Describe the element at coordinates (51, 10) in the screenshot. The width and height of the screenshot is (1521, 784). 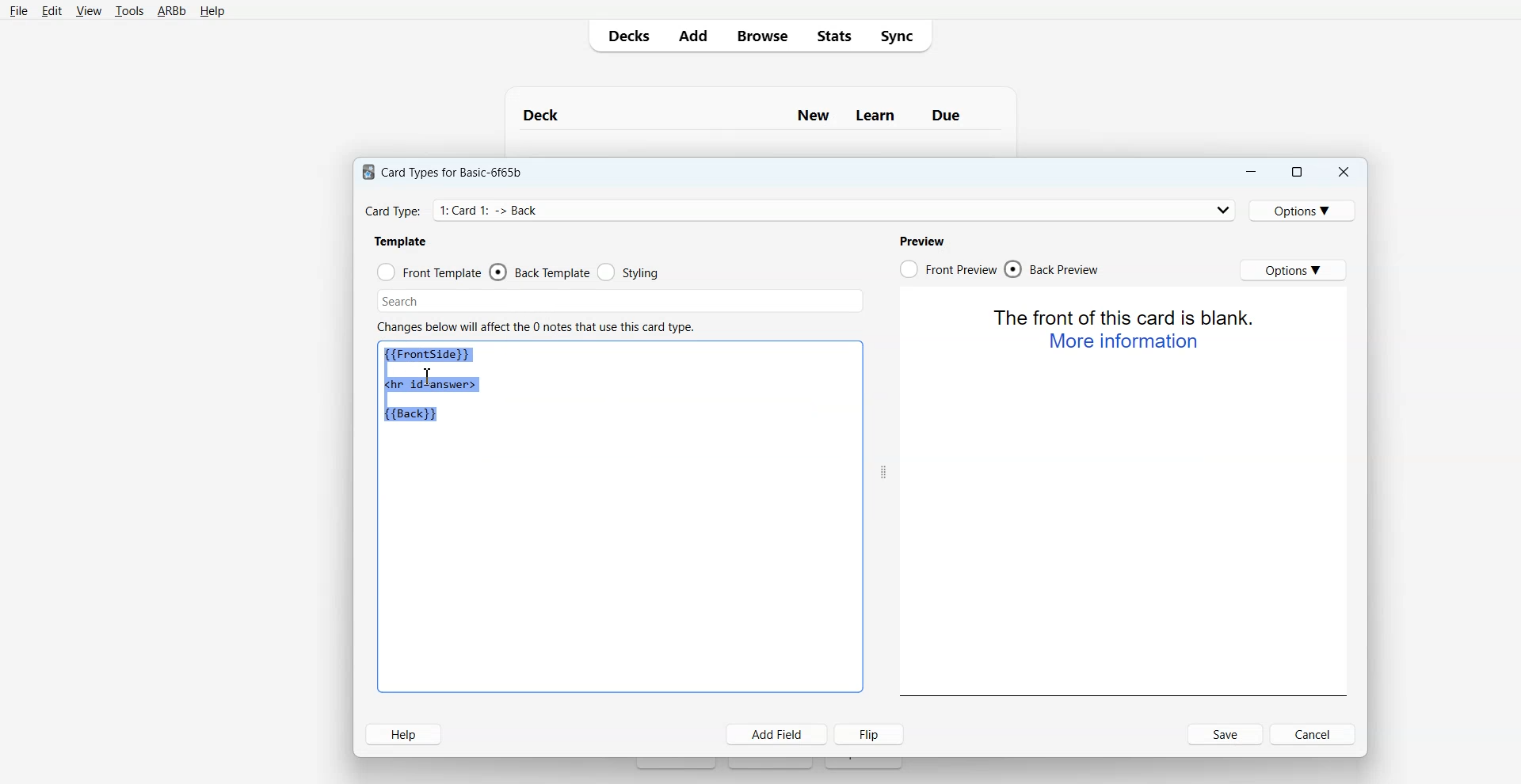
I see `Edit` at that location.